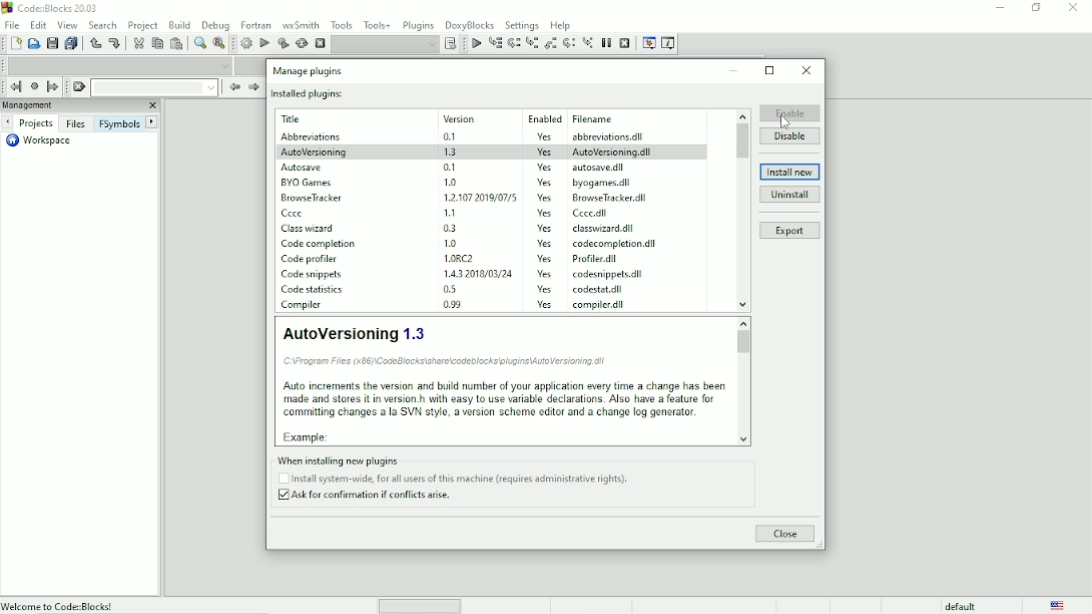 Image resolution: width=1092 pixels, height=614 pixels. I want to click on version , so click(455, 137).